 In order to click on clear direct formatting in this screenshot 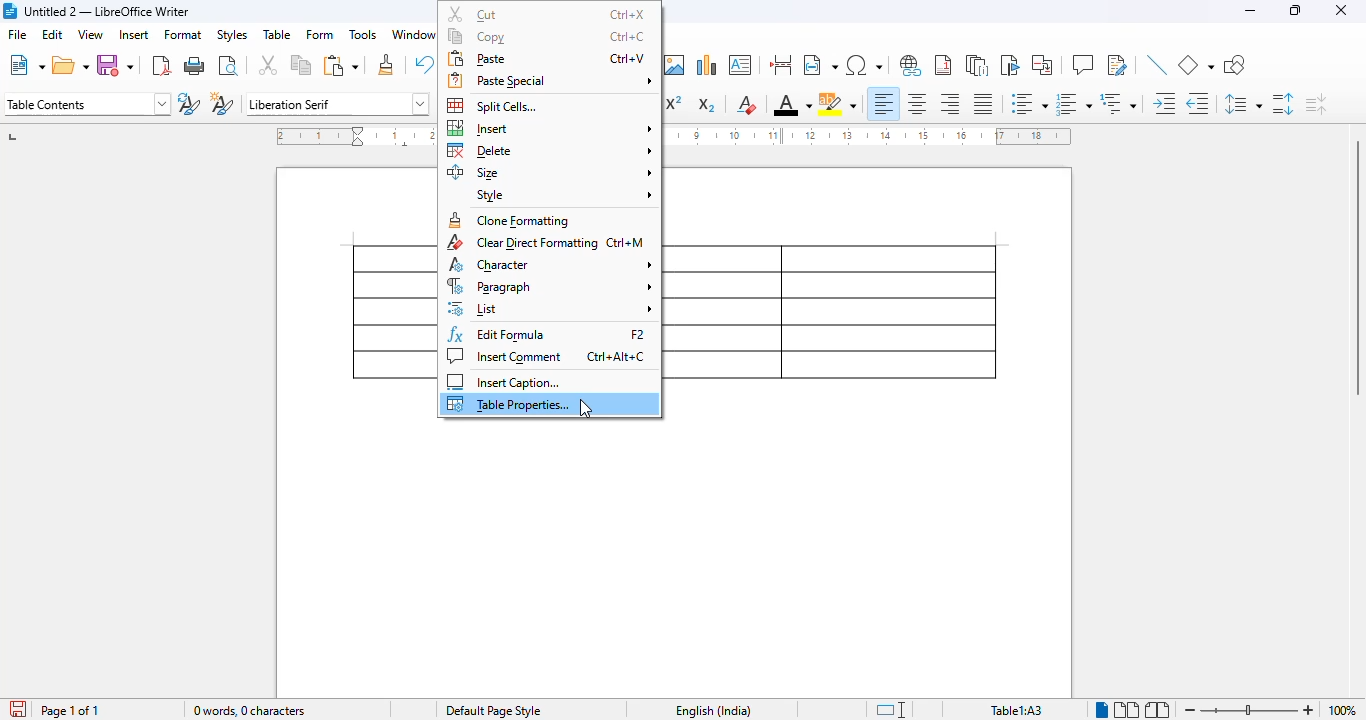, I will do `click(522, 243)`.